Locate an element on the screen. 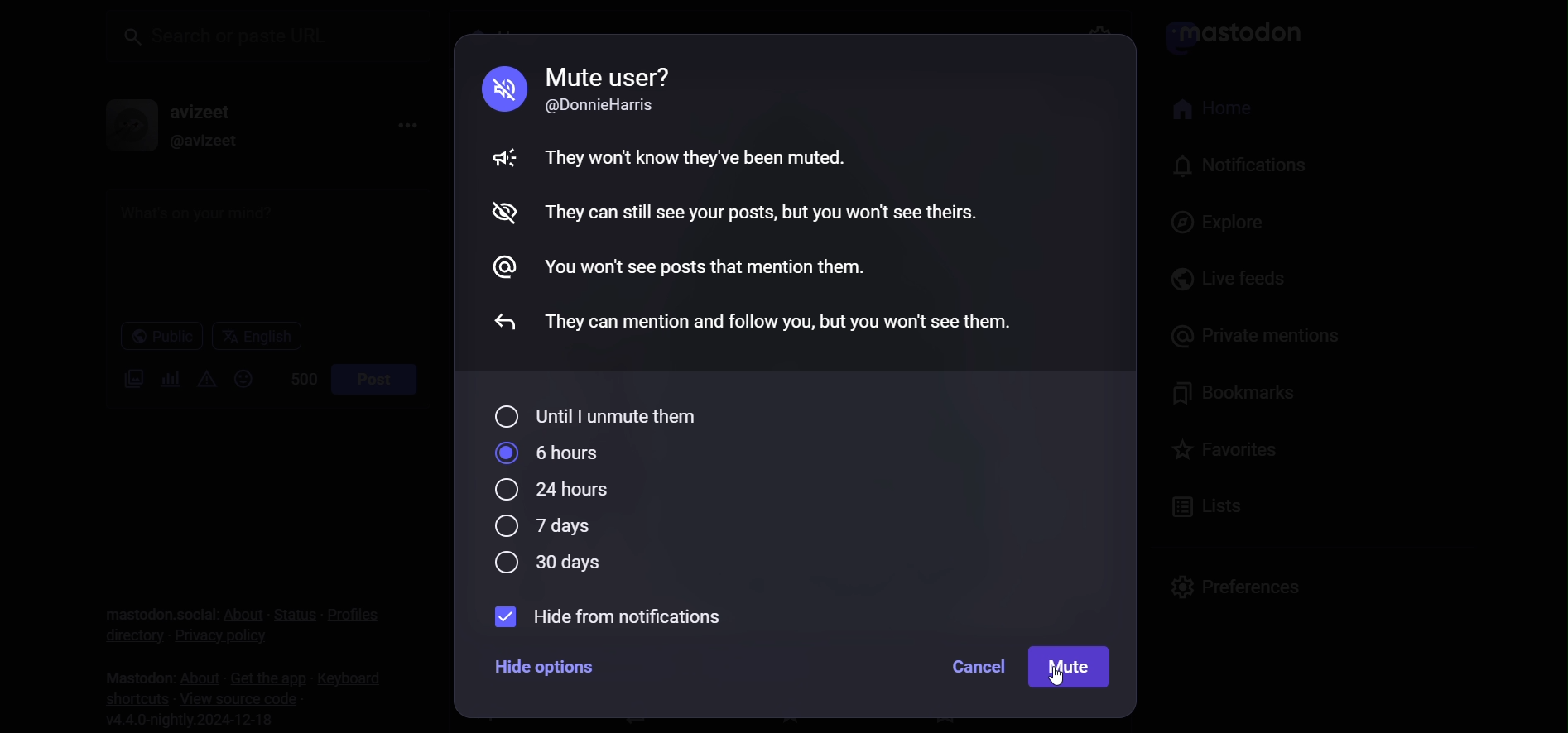  They can still see your posts, but you won't see theirs. is located at coordinates (763, 212).